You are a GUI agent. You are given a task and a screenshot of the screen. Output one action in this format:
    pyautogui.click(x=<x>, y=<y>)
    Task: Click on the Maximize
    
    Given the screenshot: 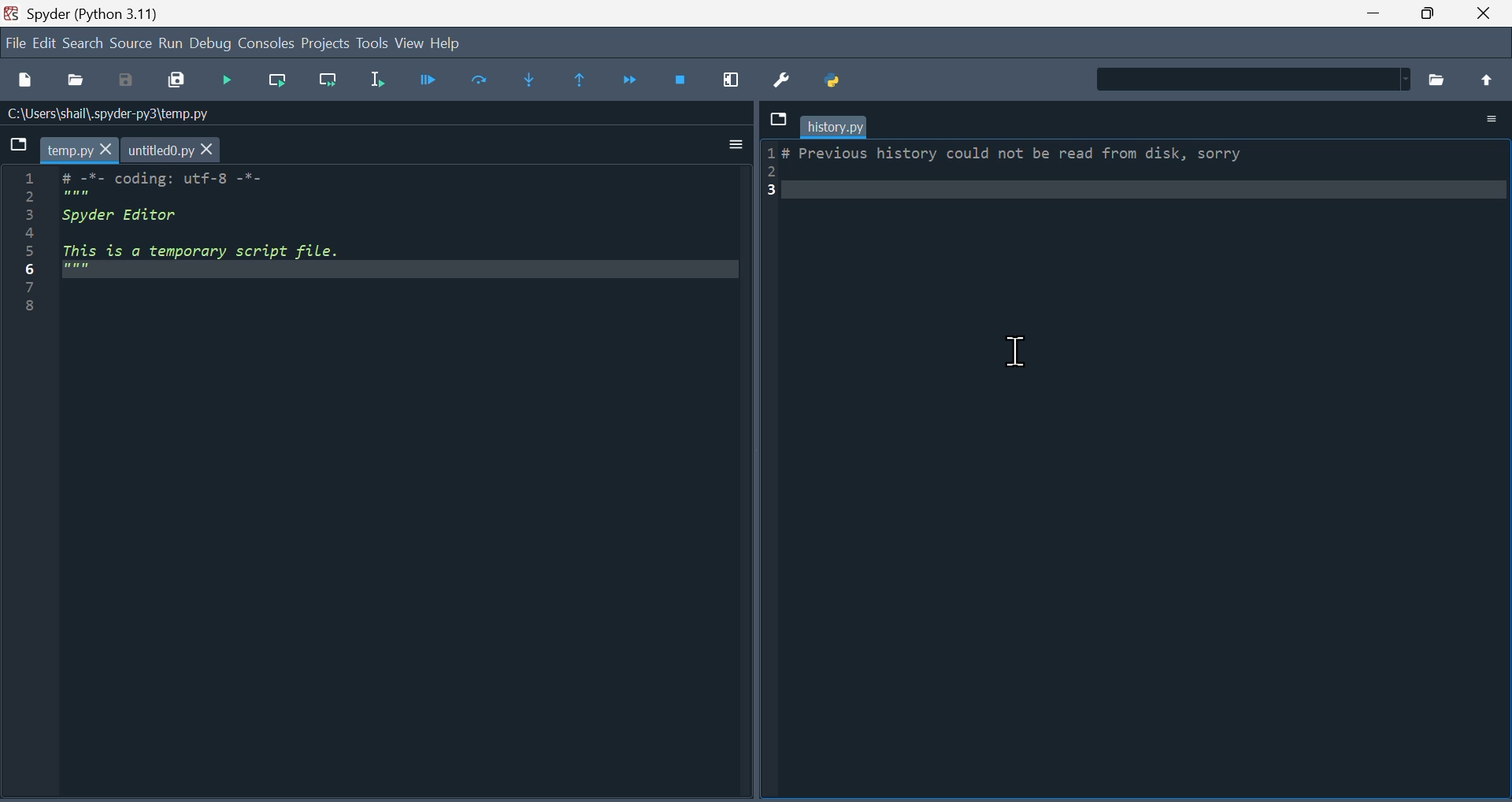 What is the action you would take?
    pyautogui.click(x=1429, y=13)
    